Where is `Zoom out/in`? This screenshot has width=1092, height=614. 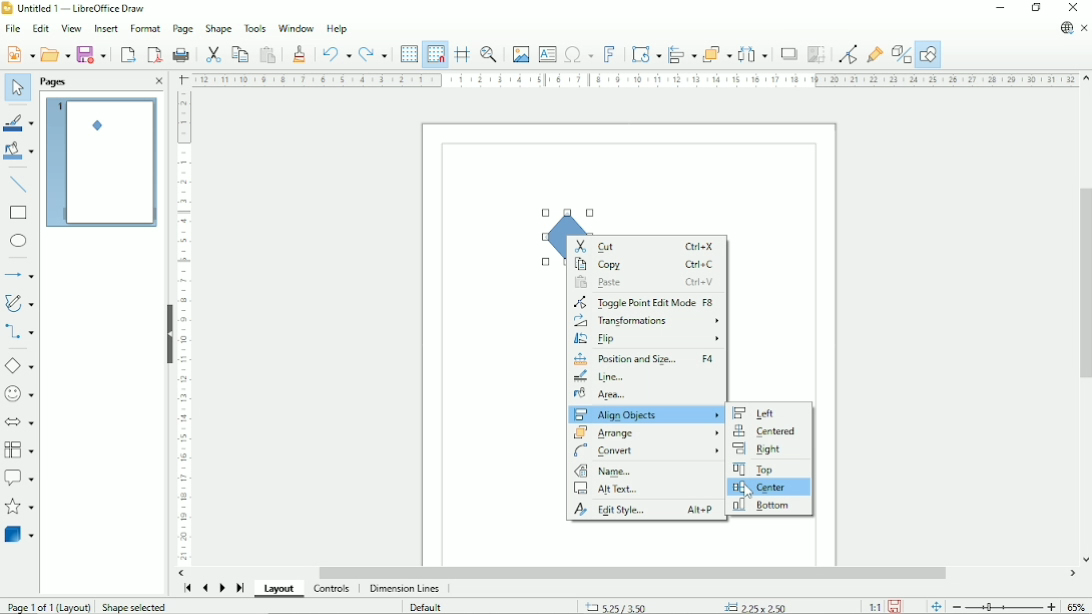 Zoom out/in is located at coordinates (1003, 606).